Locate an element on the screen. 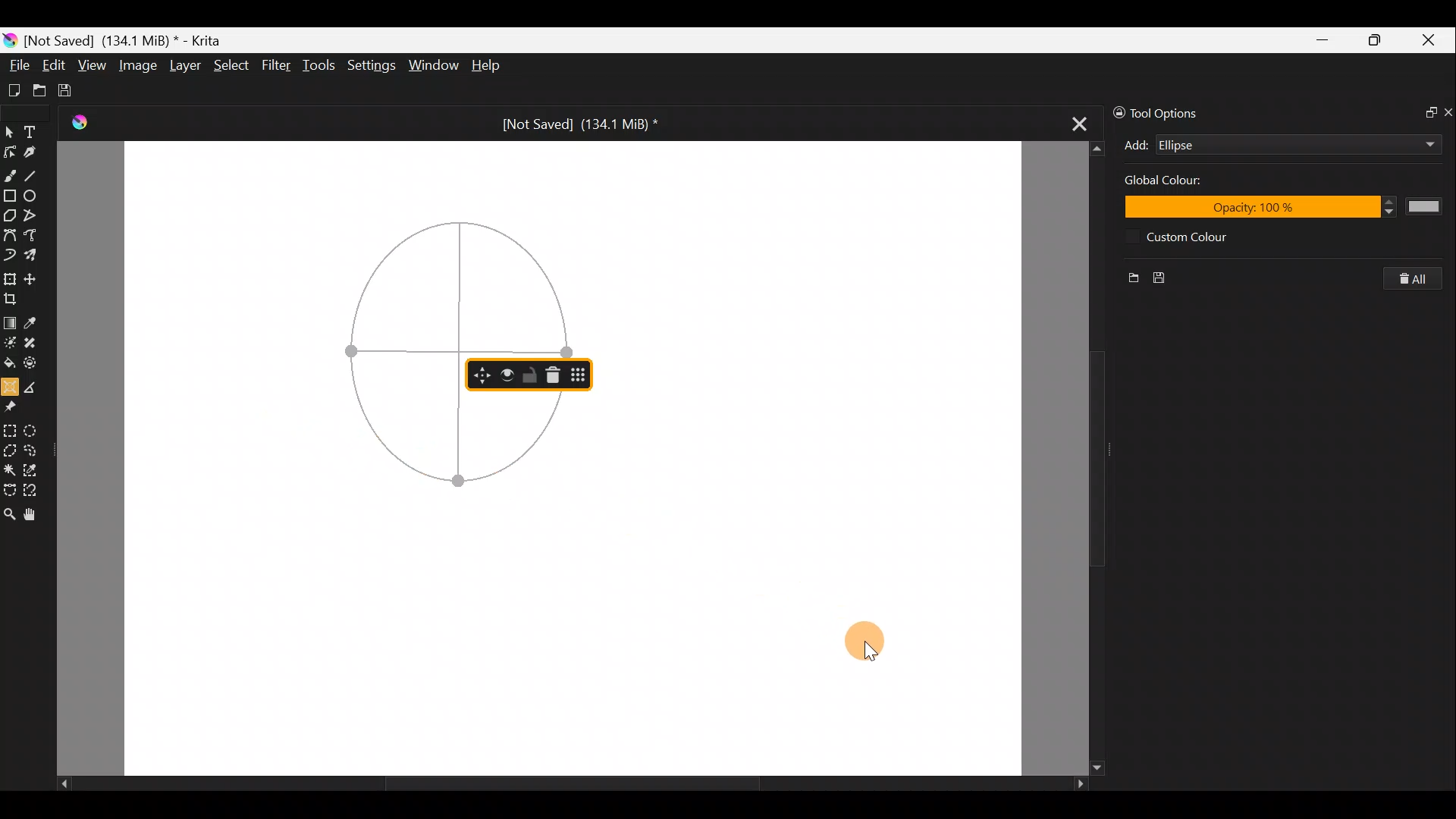 This screenshot has height=819, width=1456. Calligraphy is located at coordinates (36, 149).